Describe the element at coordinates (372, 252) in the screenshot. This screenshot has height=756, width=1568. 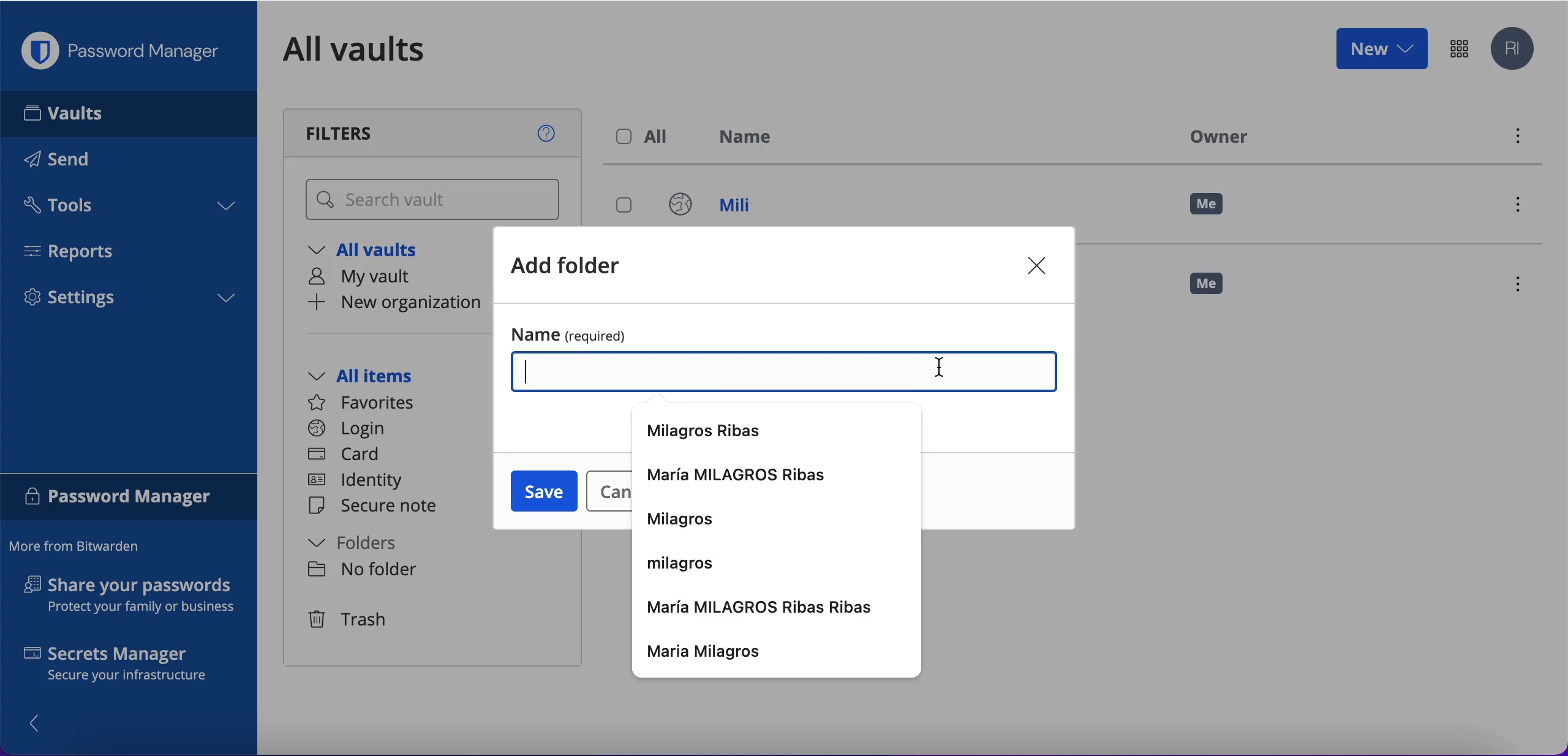
I see `all vaults` at that location.